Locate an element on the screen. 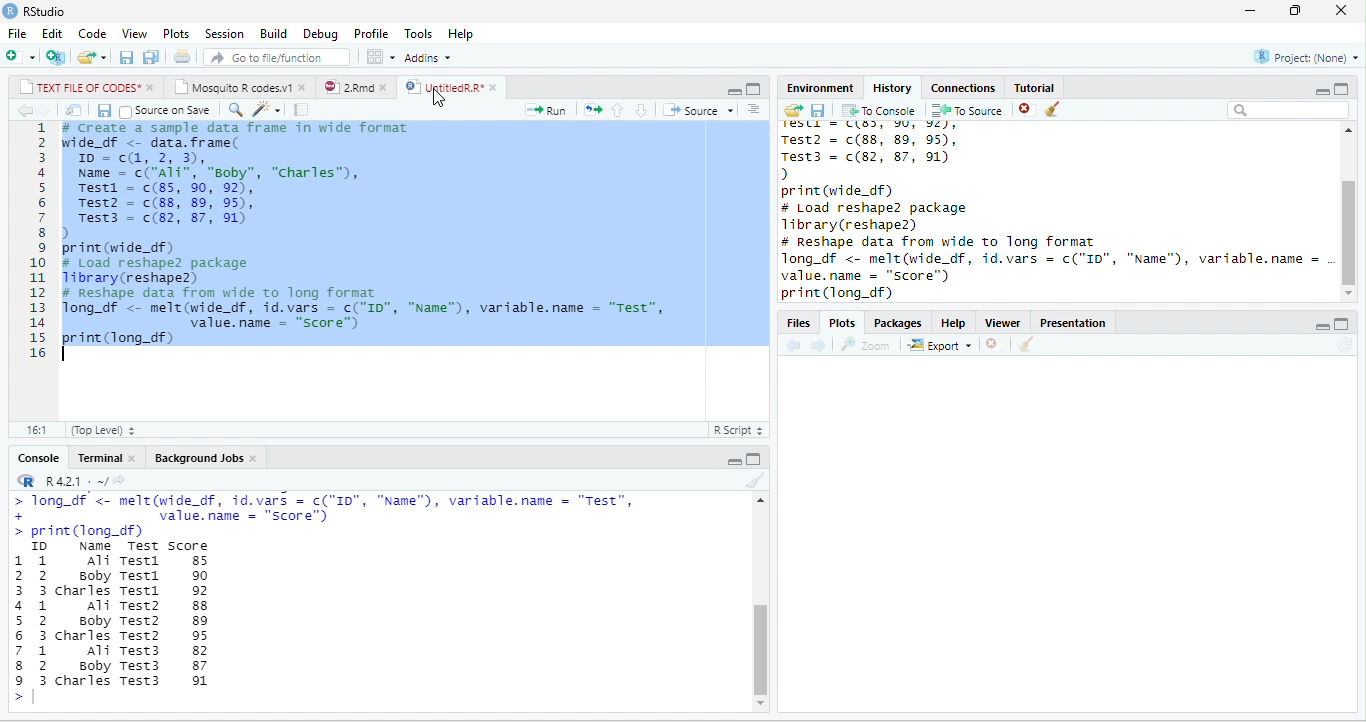 This screenshot has width=1366, height=722. logo is located at coordinates (11, 10).